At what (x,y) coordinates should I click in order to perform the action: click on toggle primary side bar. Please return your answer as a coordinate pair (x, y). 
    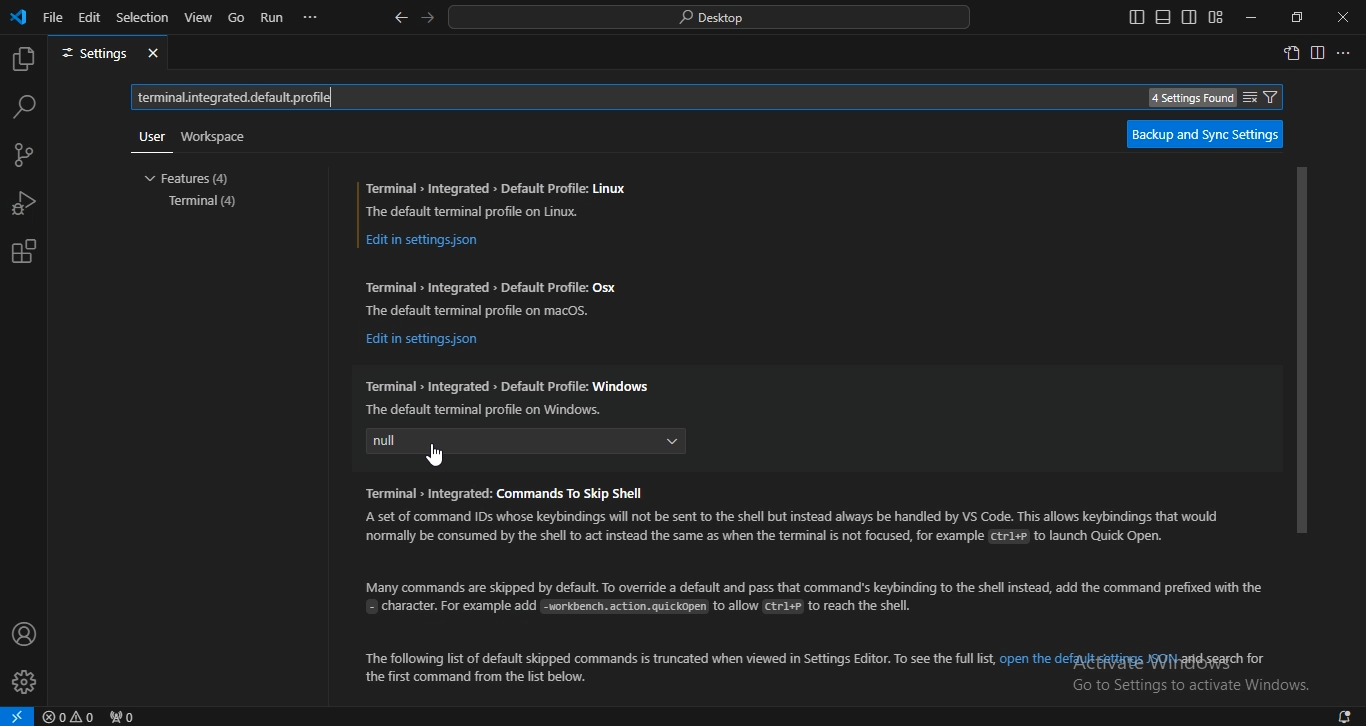
    Looking at the image, I should click on (1137, 17).